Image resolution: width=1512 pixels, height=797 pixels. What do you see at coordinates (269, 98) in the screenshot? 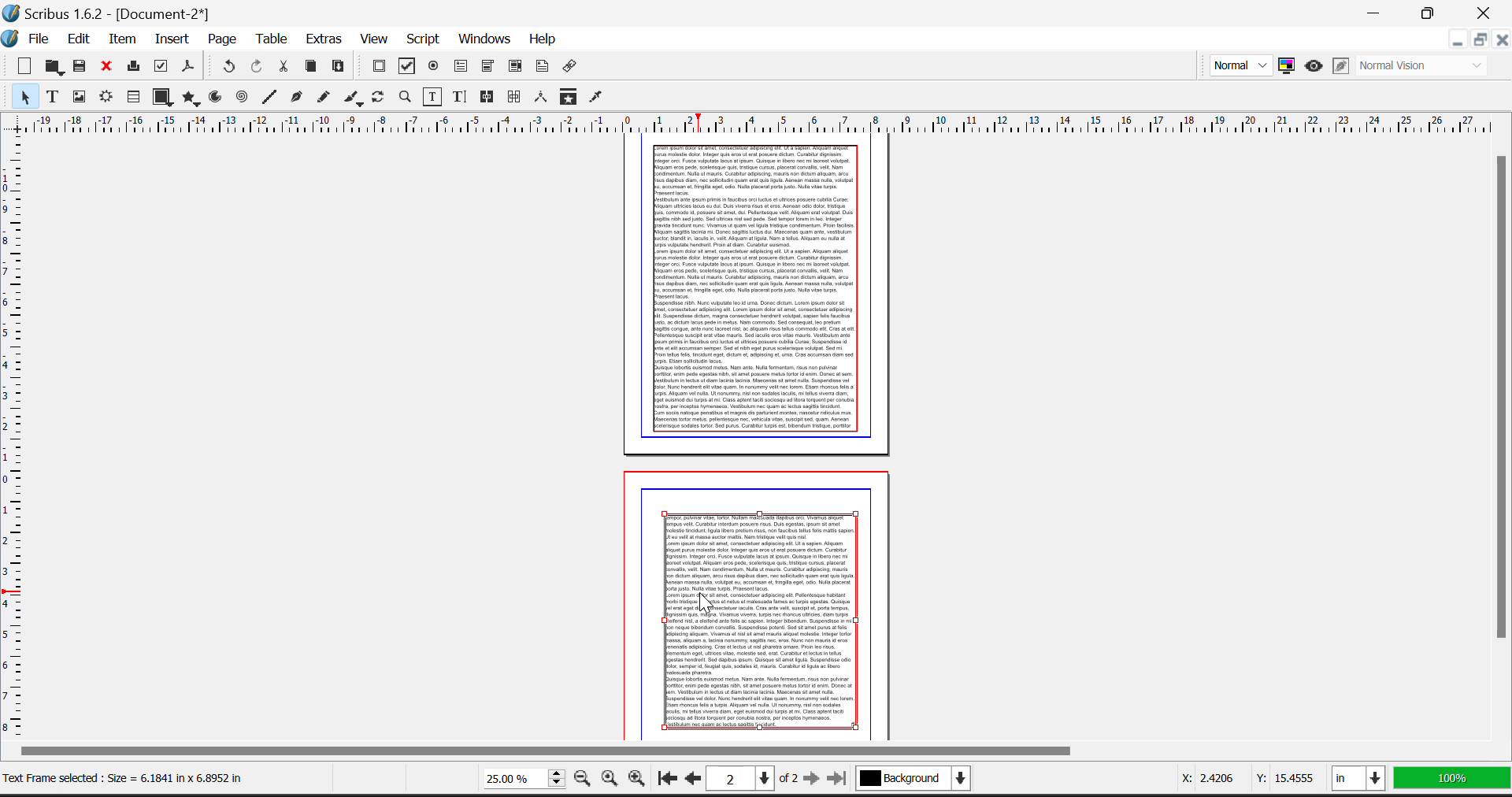
I see `Line` at bounding box center [269, 98].